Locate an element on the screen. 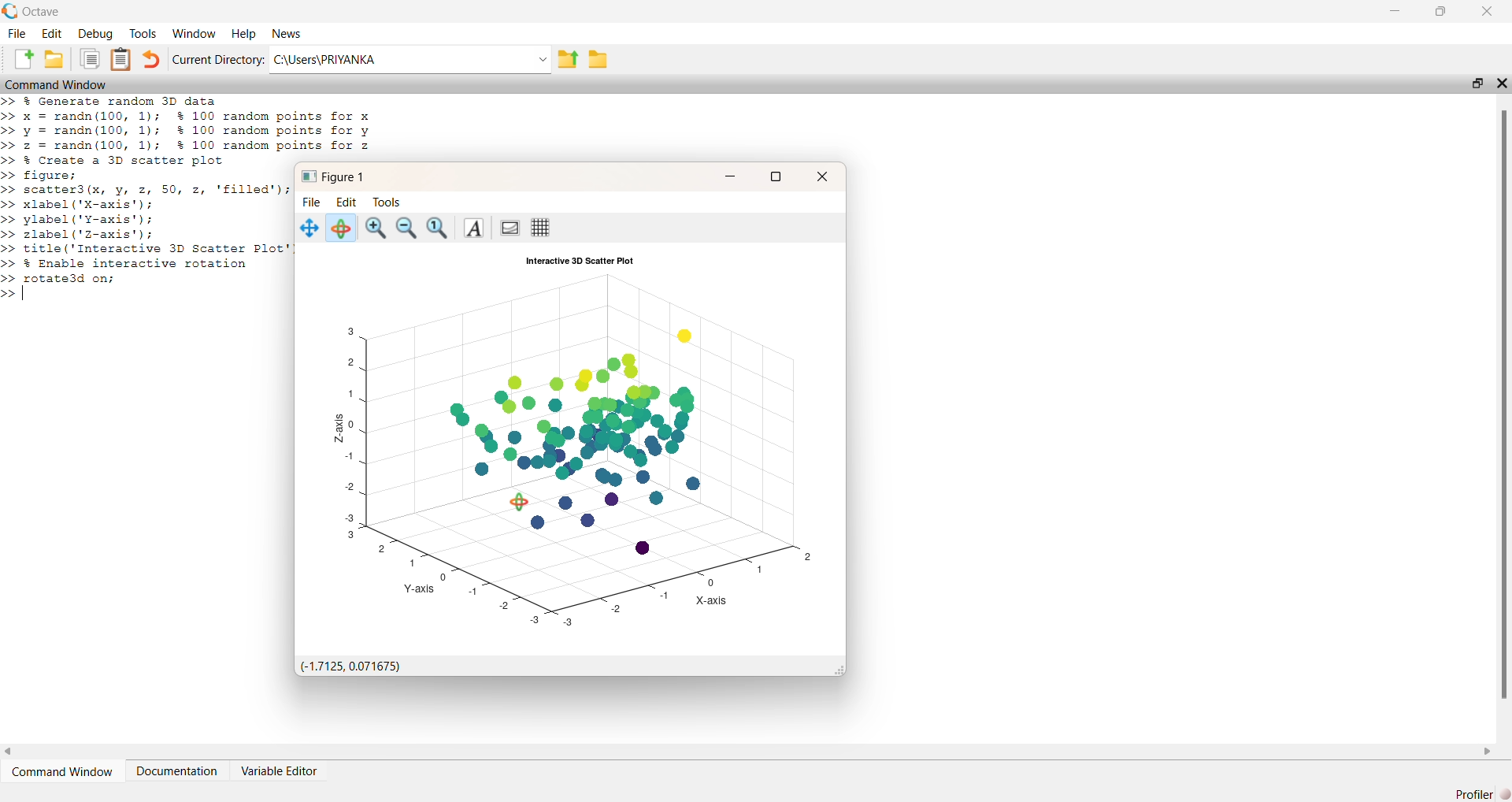 This screenshot has height=802, width=1512. scroll right is located at coordinates (1487, 752).